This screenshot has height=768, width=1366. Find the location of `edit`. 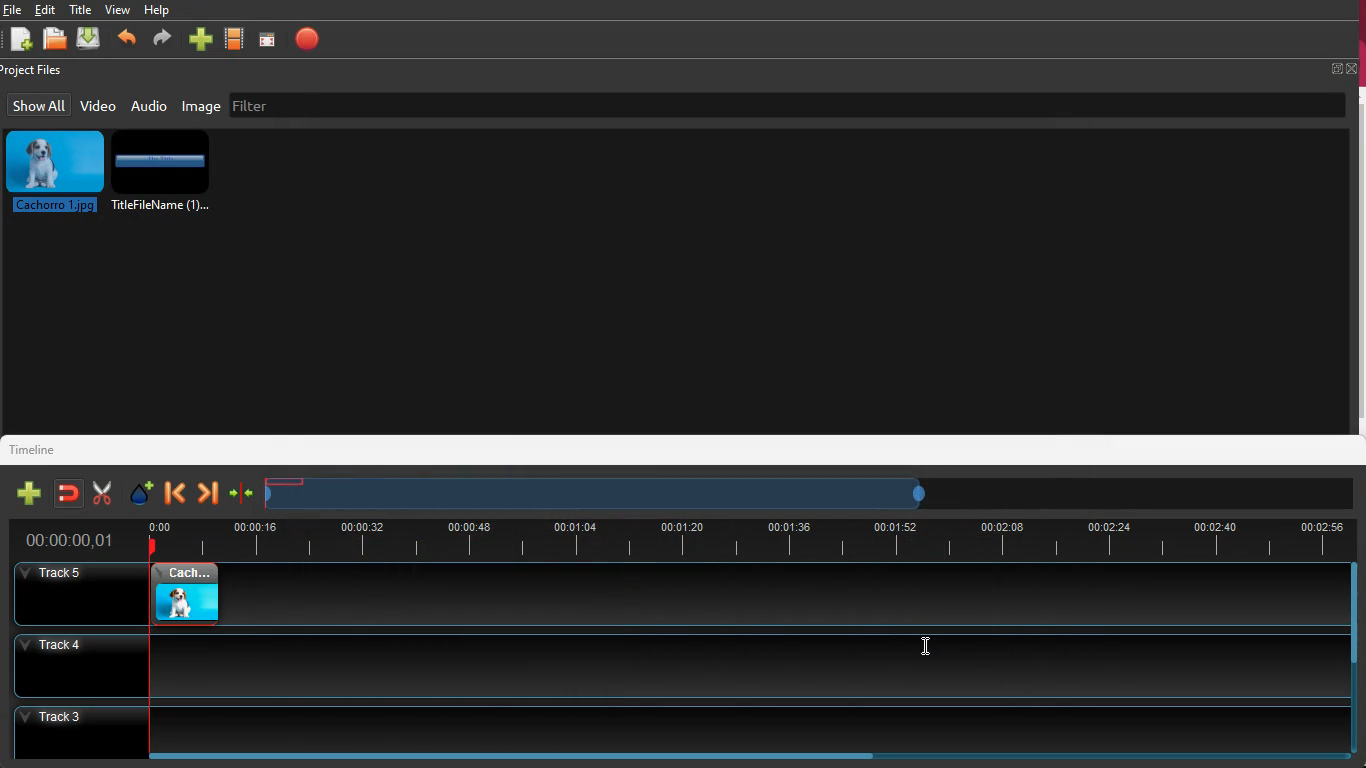

edit is located at coordinates (49, 10).